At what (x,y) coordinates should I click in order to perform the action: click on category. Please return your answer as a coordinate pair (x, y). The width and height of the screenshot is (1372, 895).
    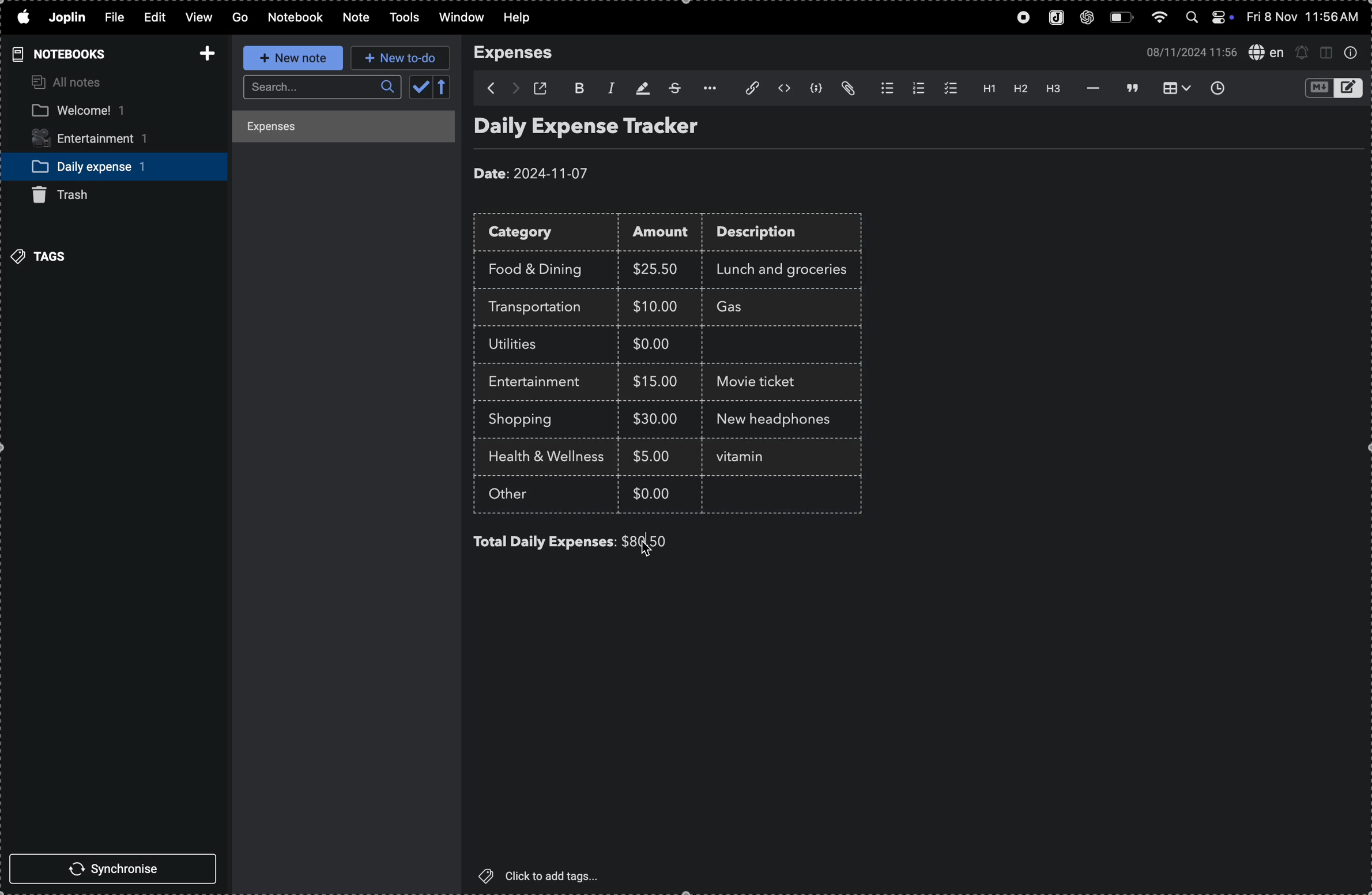
    Looking at the image, I should click on (548, 234).